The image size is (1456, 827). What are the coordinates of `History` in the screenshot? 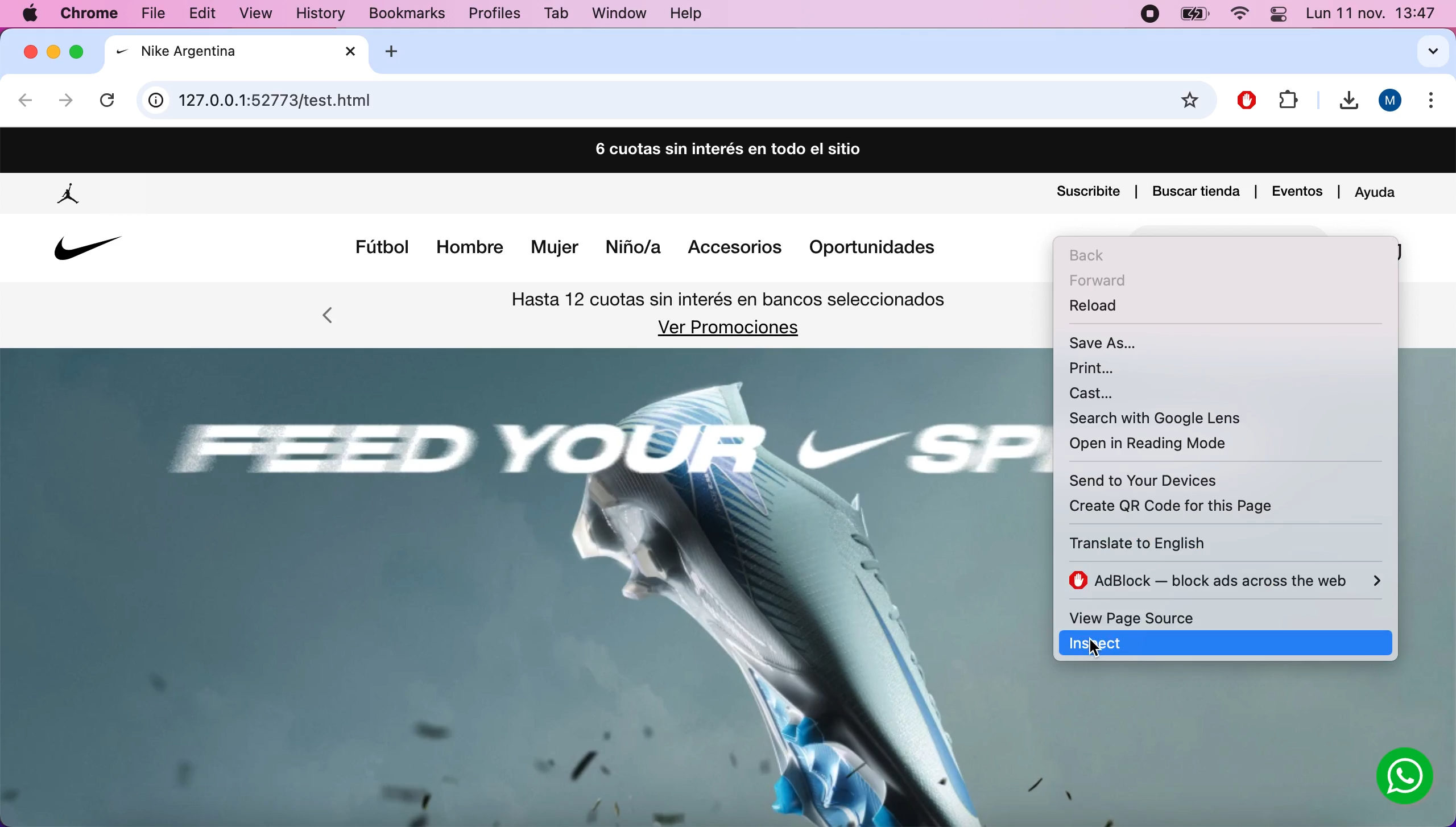 It's located at (320, 15).